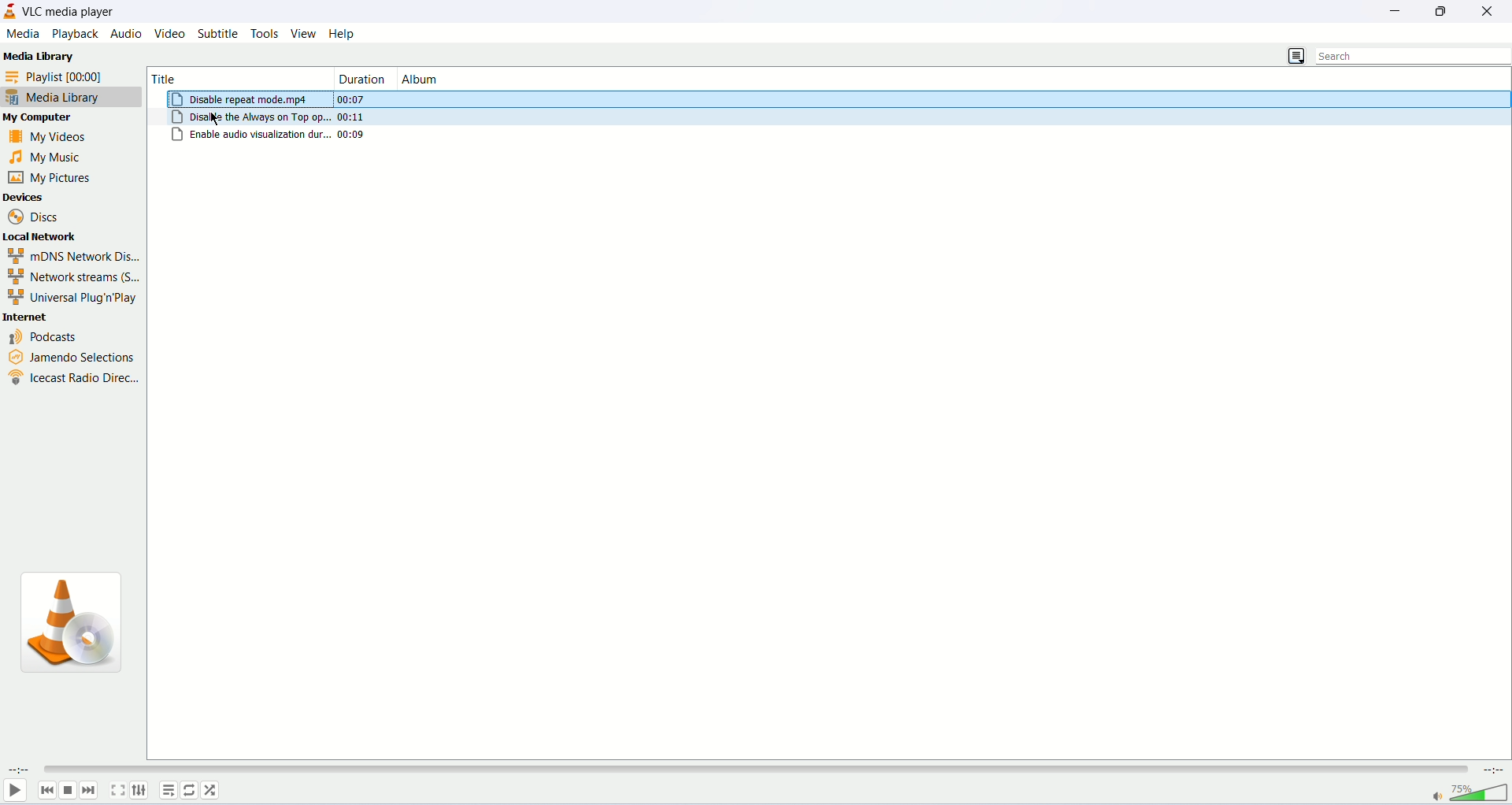  What do you see at coordinates (36, 215) in the screenshot?
I see `discs` at bounding box center [36, 215].